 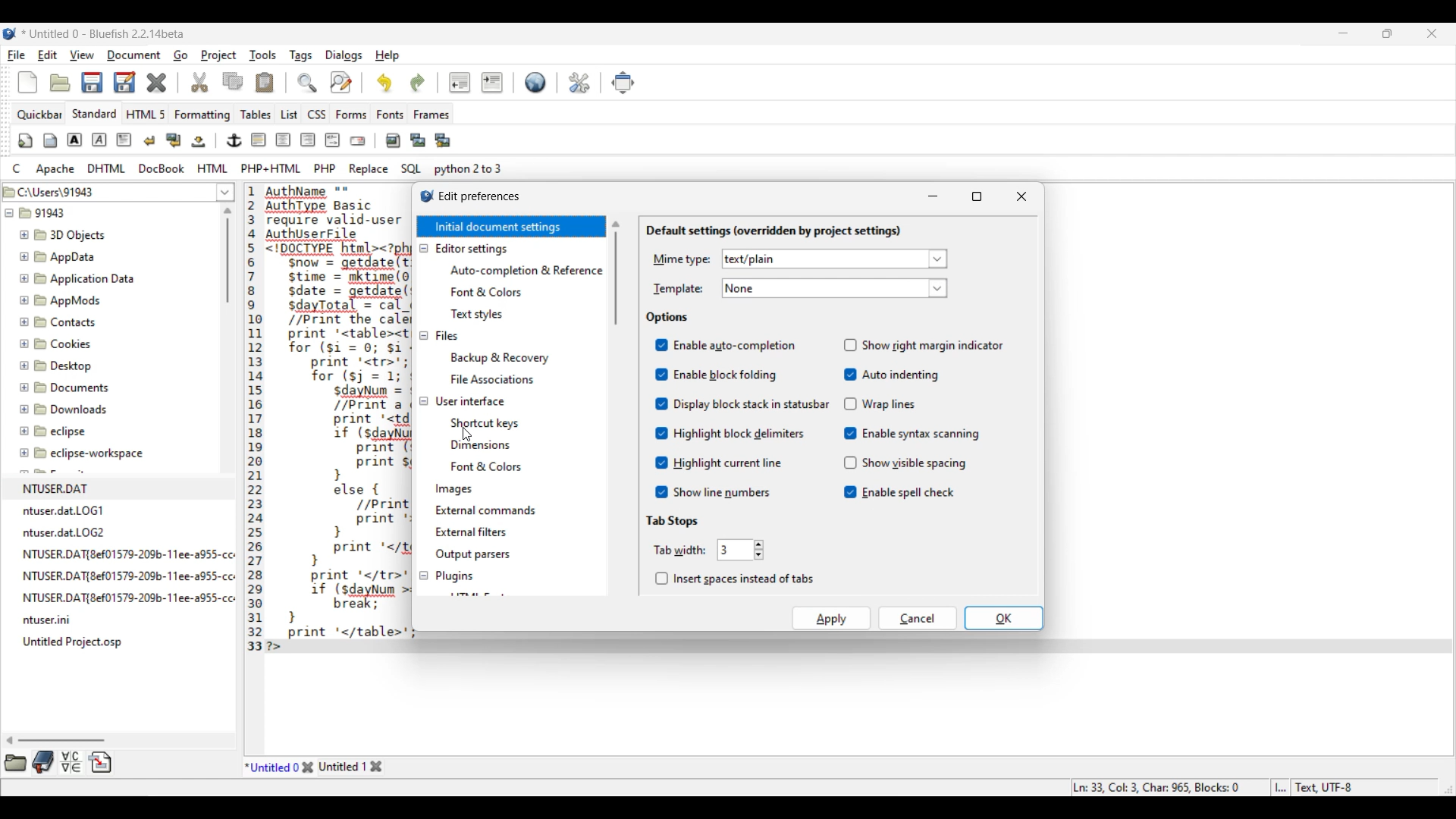 I want to click on New, so click(x=28, y=83).